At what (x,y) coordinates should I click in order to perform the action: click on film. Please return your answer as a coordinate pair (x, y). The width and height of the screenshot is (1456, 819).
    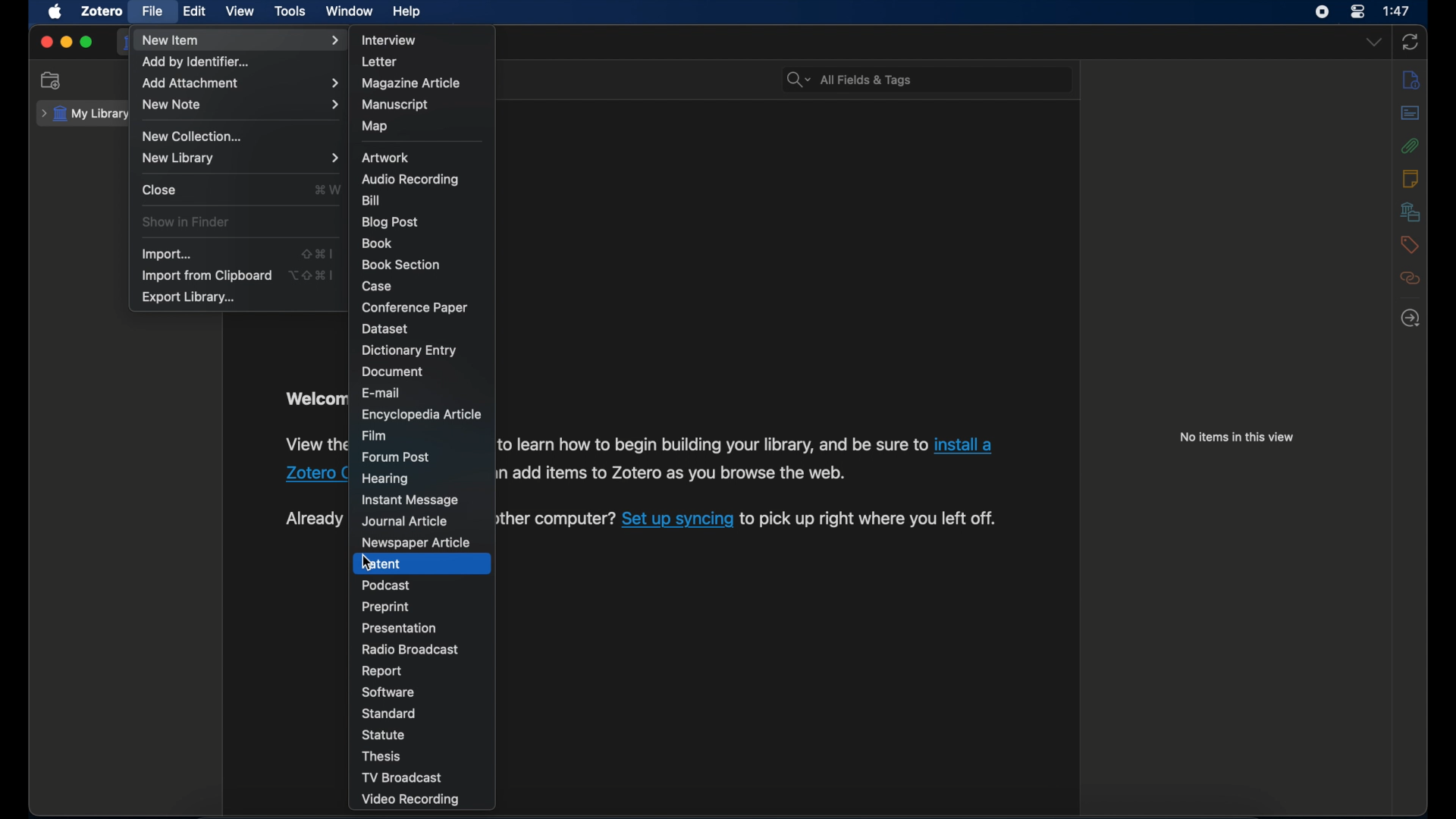
    Looking at the image, I should click on (375, 435).